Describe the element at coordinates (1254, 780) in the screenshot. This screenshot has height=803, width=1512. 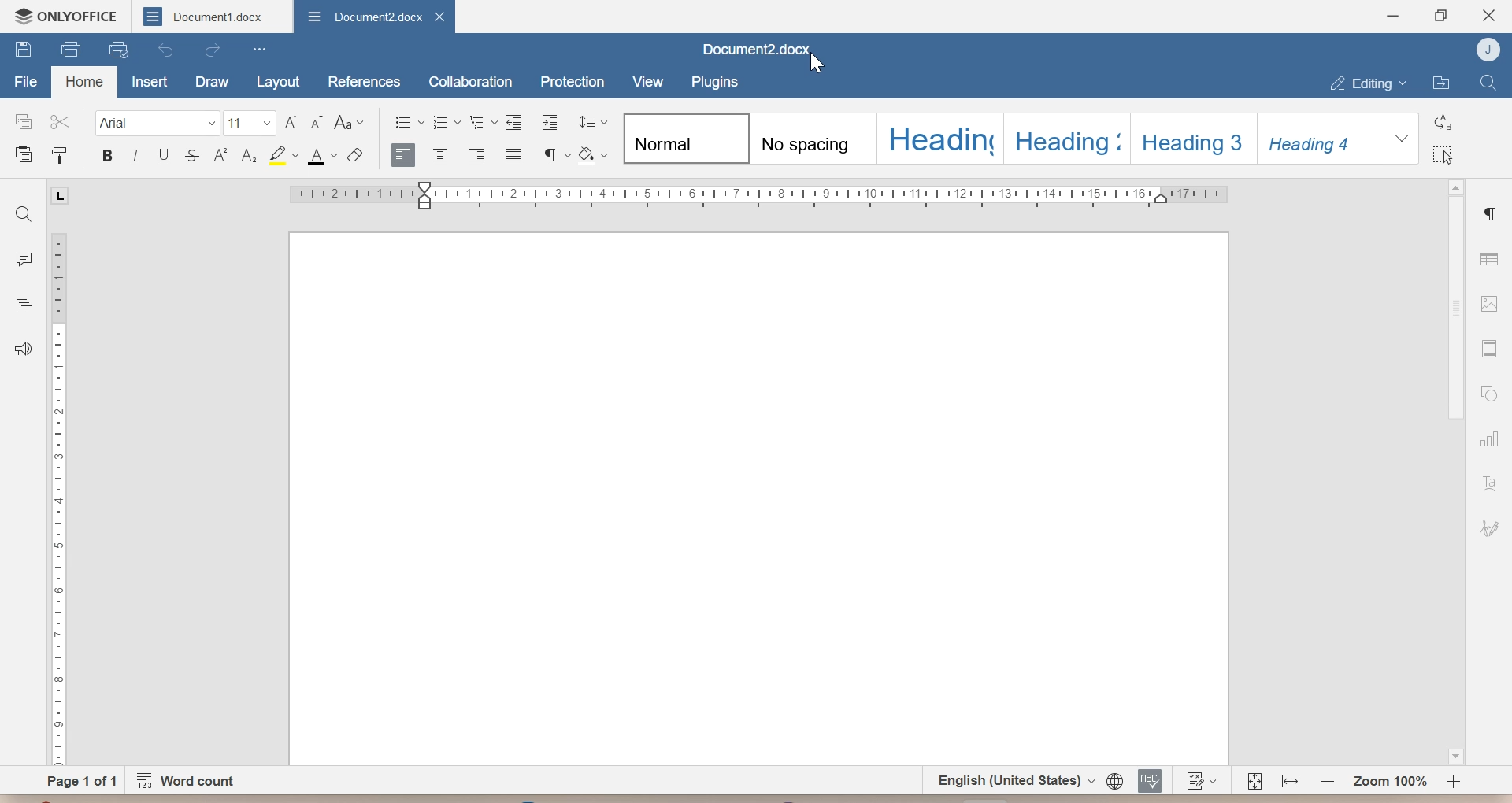
I see `Fit to page` at that location.